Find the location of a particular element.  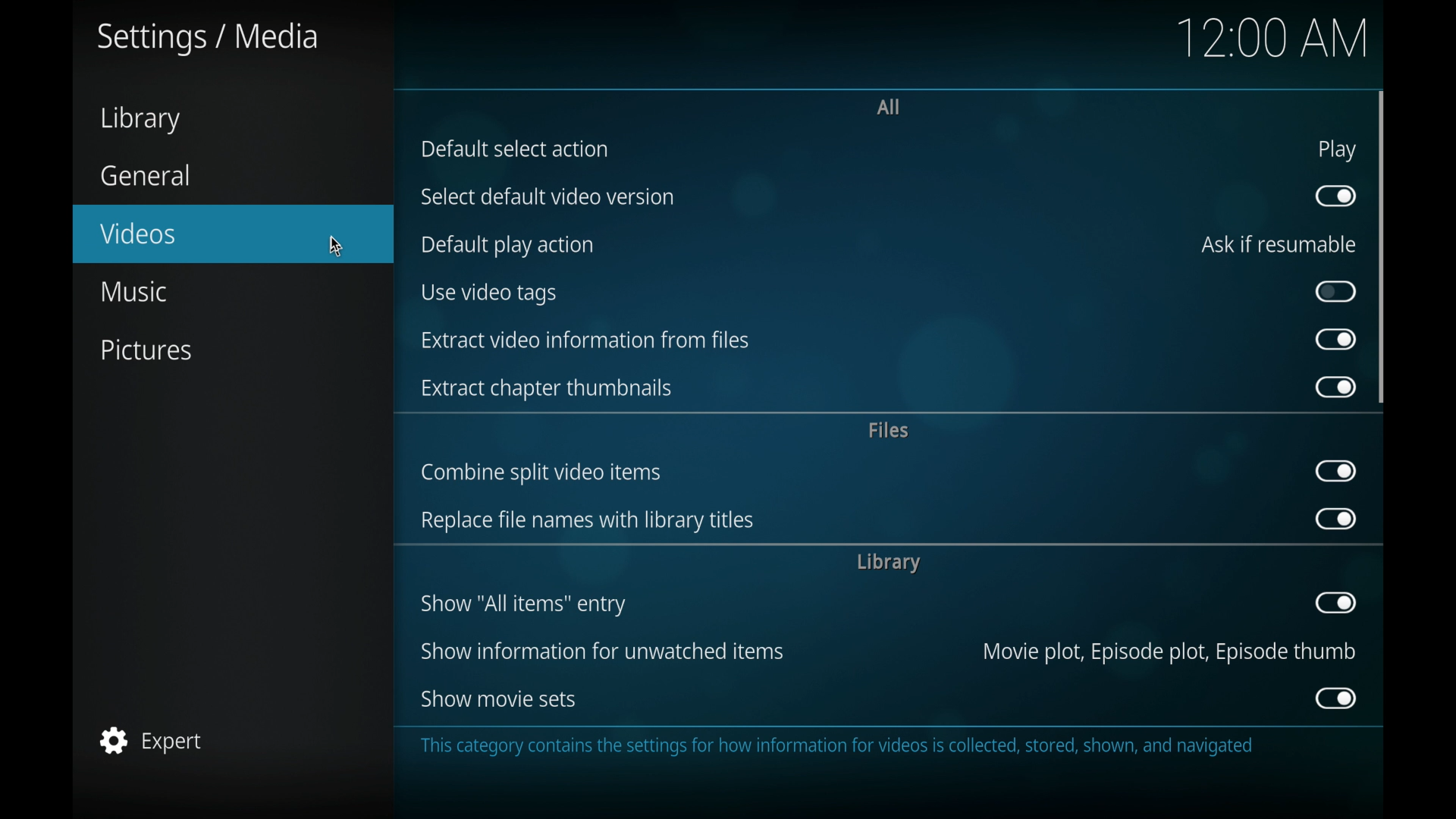

library is located at coordinates (140, 120).